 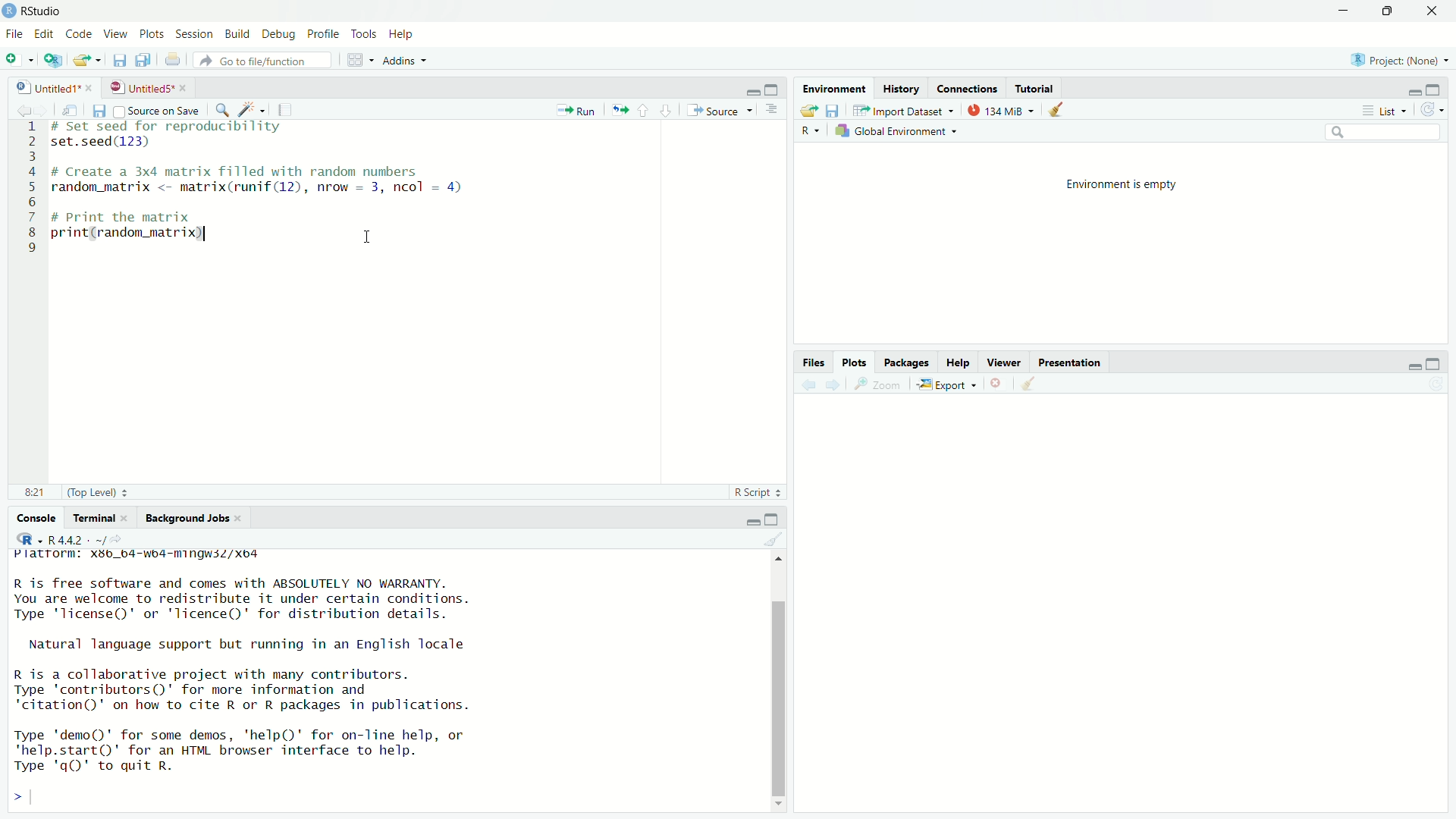 What do you see at coordinates (15, 60) in the screenshot?
I see `add` at bounding box center [15, 60].